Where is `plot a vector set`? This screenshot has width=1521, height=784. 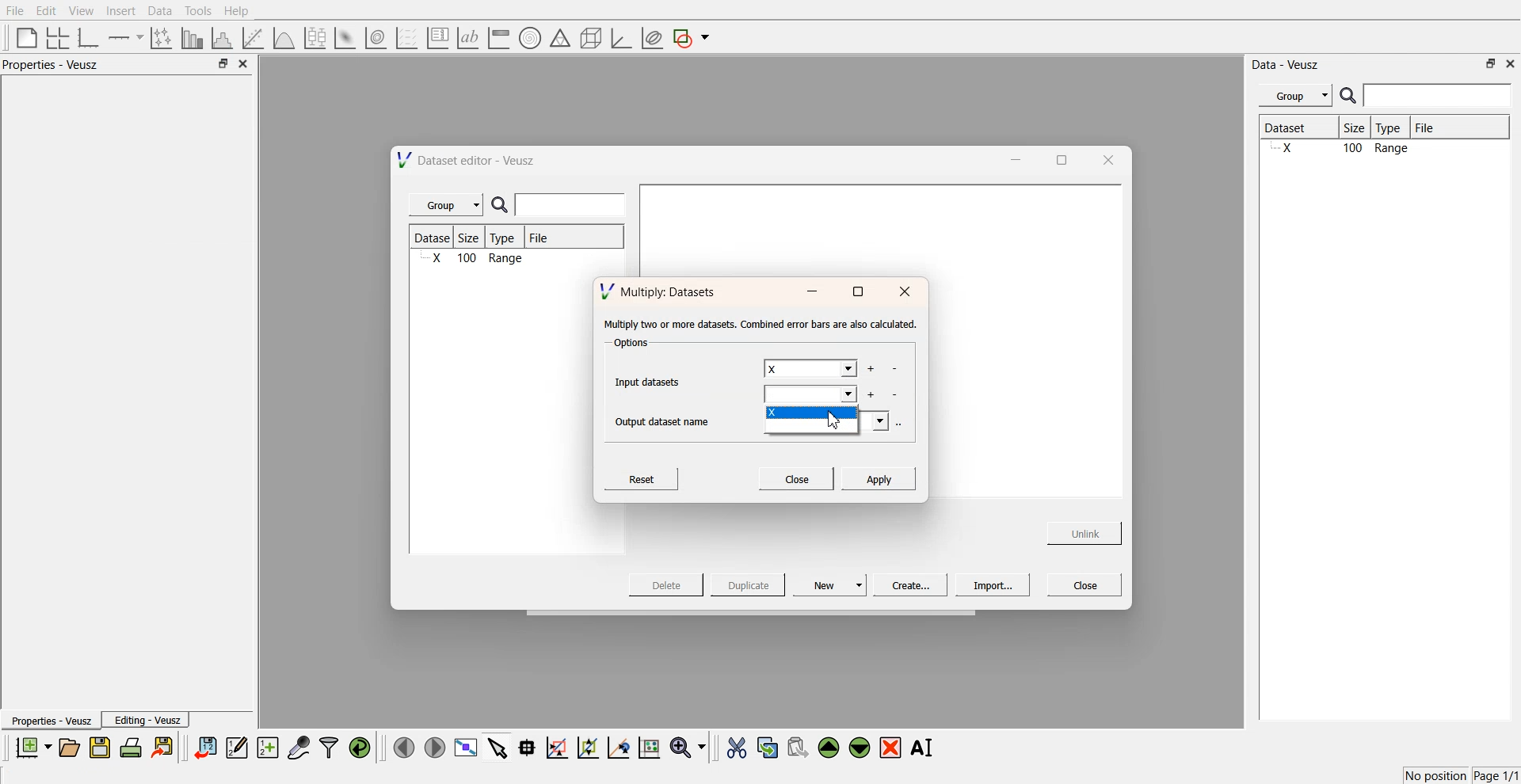 plot a vector set is located at coordinates (408, 38).